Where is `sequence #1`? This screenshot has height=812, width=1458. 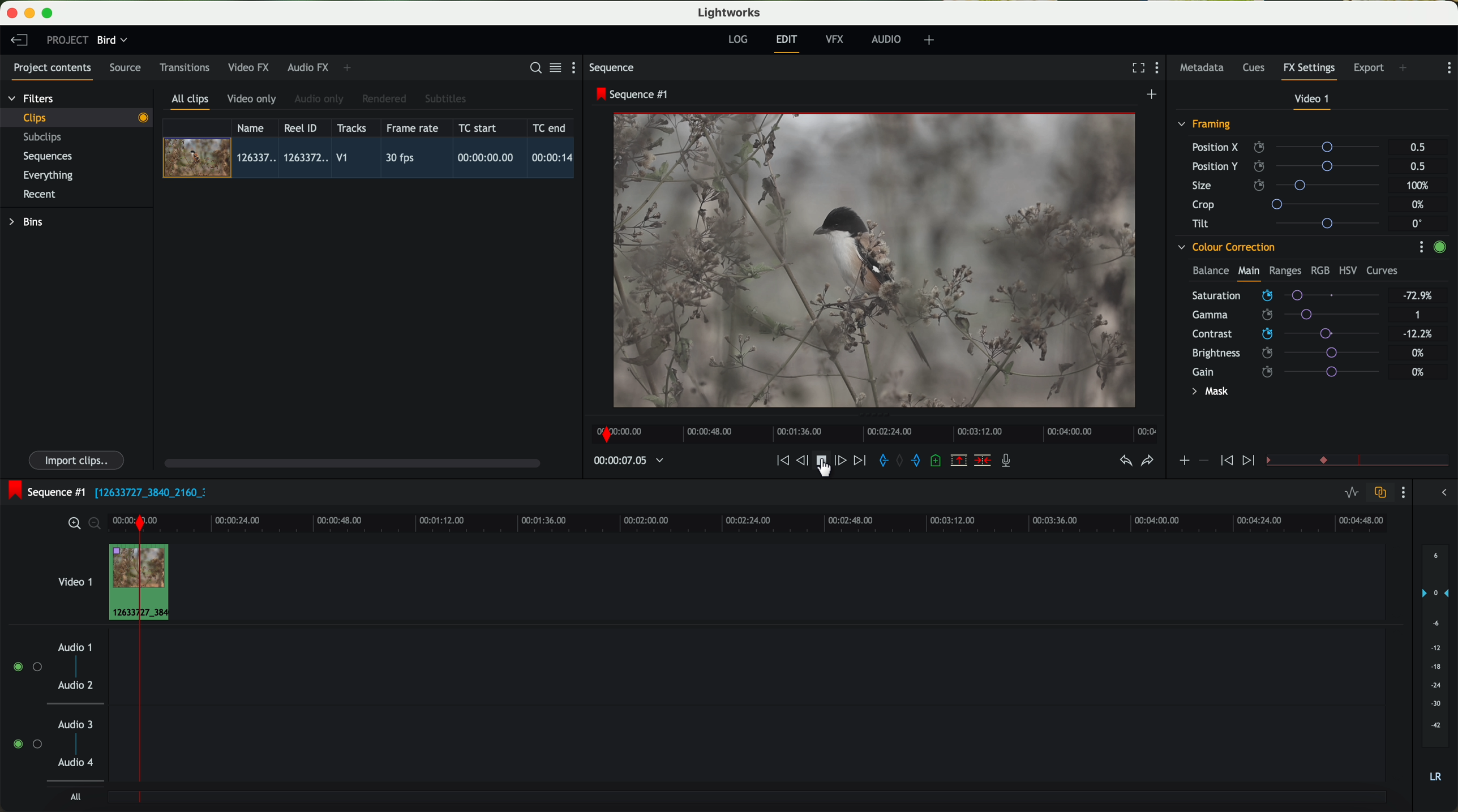
sequence #1 is located at coordinates (44, 492).